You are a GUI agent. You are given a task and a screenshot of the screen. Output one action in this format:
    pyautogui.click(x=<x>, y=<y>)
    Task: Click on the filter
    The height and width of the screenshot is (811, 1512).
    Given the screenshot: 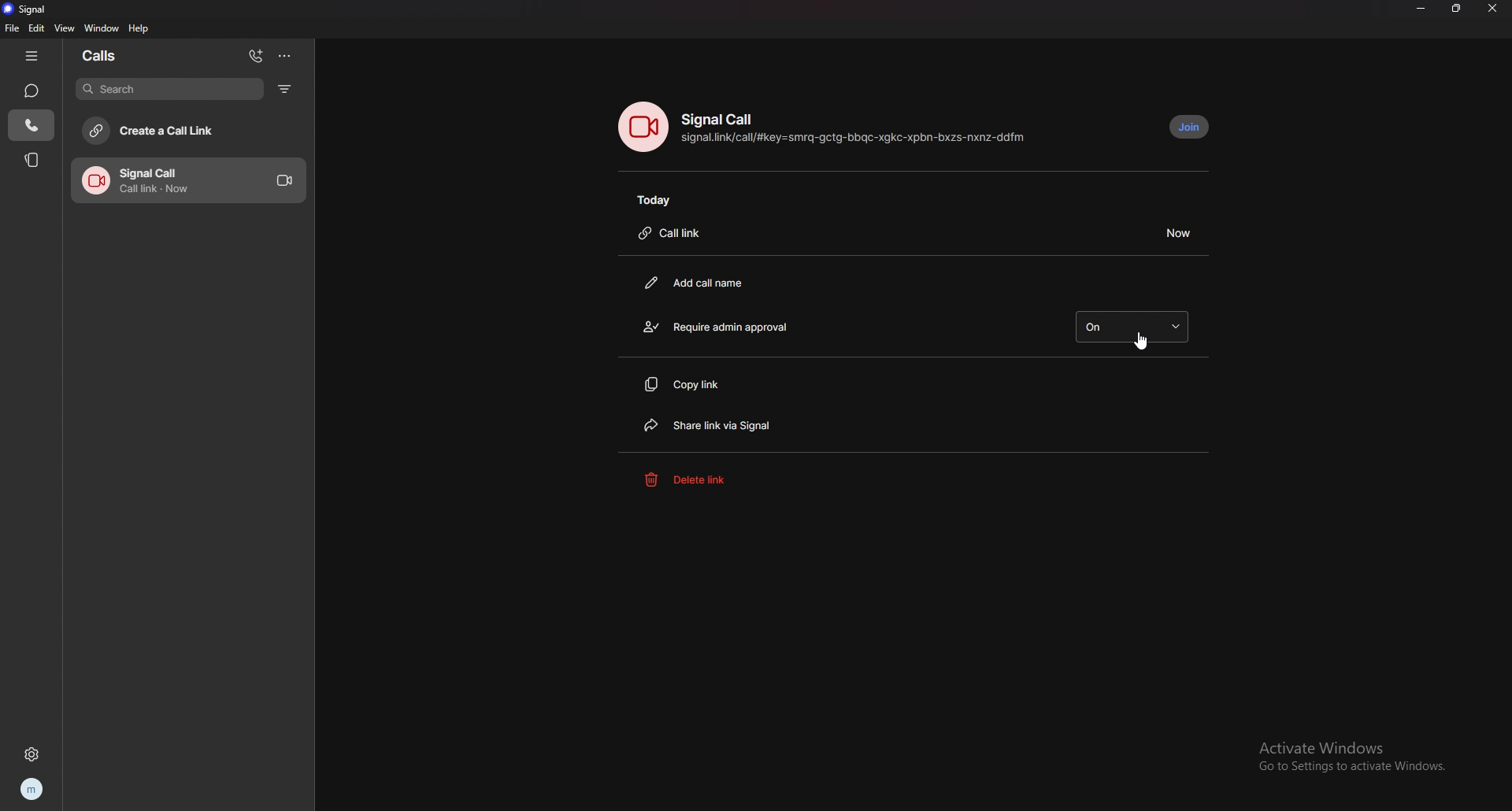 What is the action you would take?
    pyautogui.click(x=286, y=89)
    